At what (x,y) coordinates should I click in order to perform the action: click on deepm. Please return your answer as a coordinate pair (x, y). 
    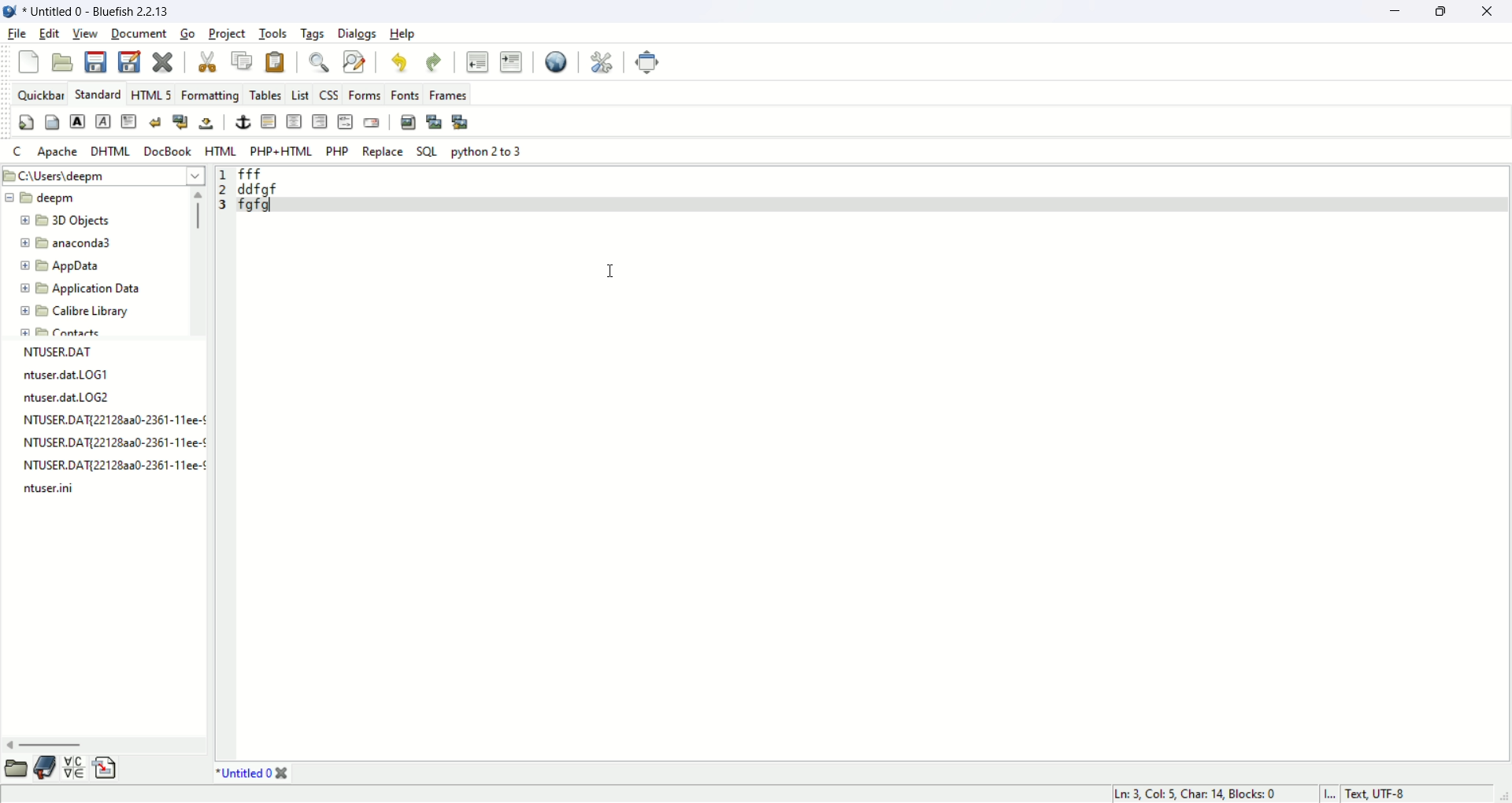
    Looking at the image, I should click on (42, 198).